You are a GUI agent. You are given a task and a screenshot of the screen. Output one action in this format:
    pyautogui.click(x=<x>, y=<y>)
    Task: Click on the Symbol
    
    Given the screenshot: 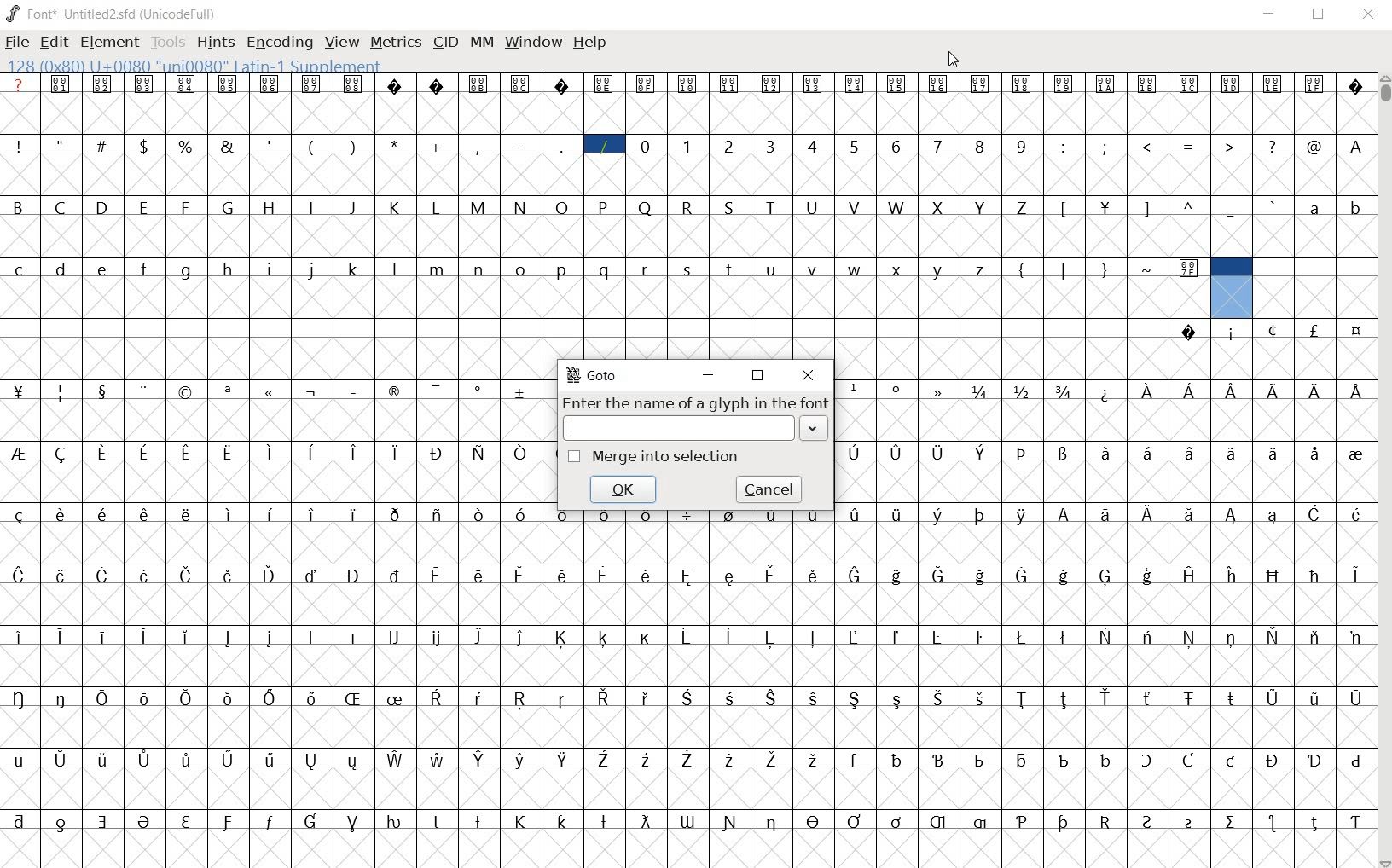 What is the action you would take?
    pyautogui.click(x=1147, y=575)
    